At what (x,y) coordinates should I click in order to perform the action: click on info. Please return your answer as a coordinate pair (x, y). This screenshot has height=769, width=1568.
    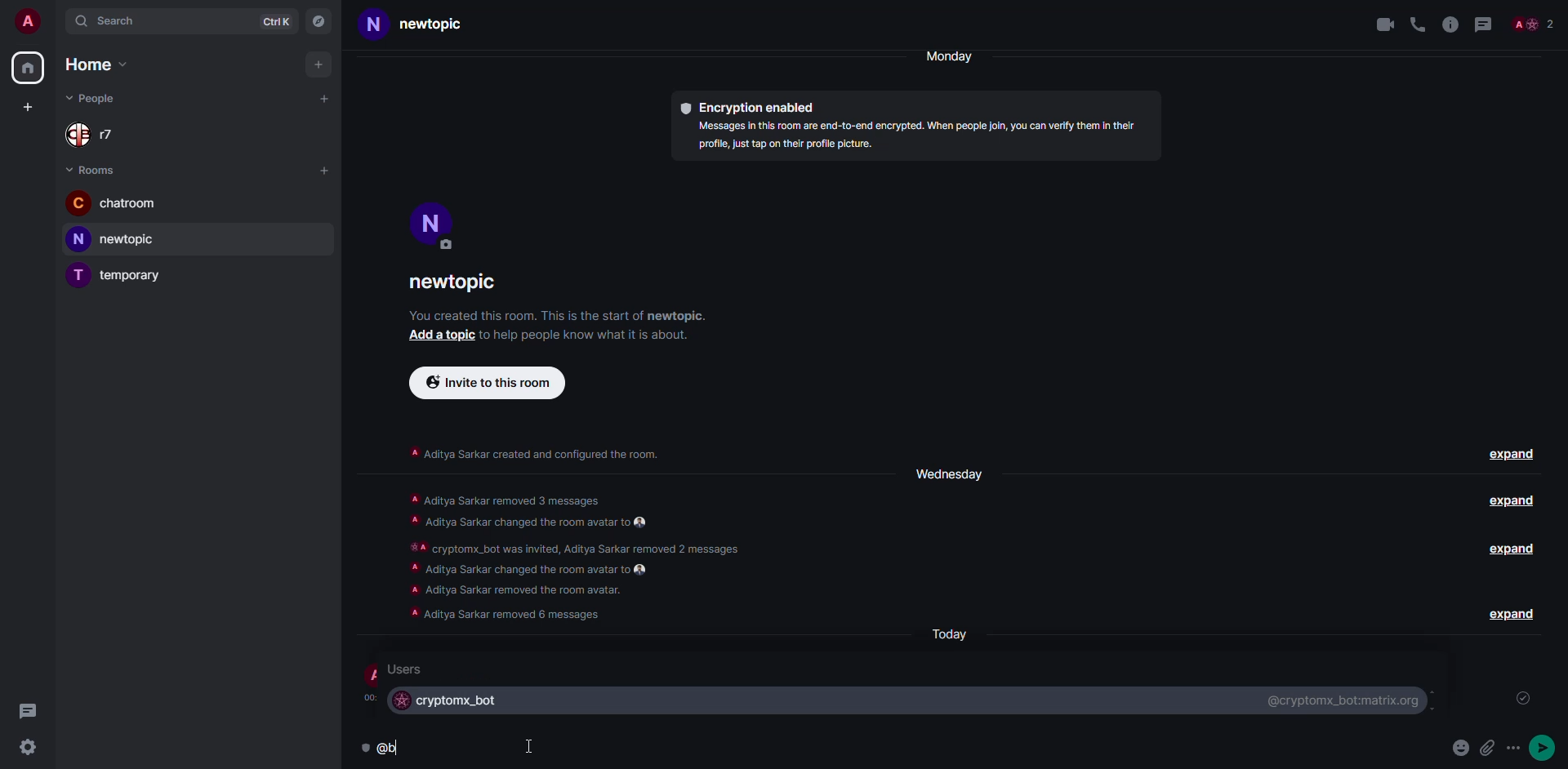
    Looking at the image, I should click on (576, 558).